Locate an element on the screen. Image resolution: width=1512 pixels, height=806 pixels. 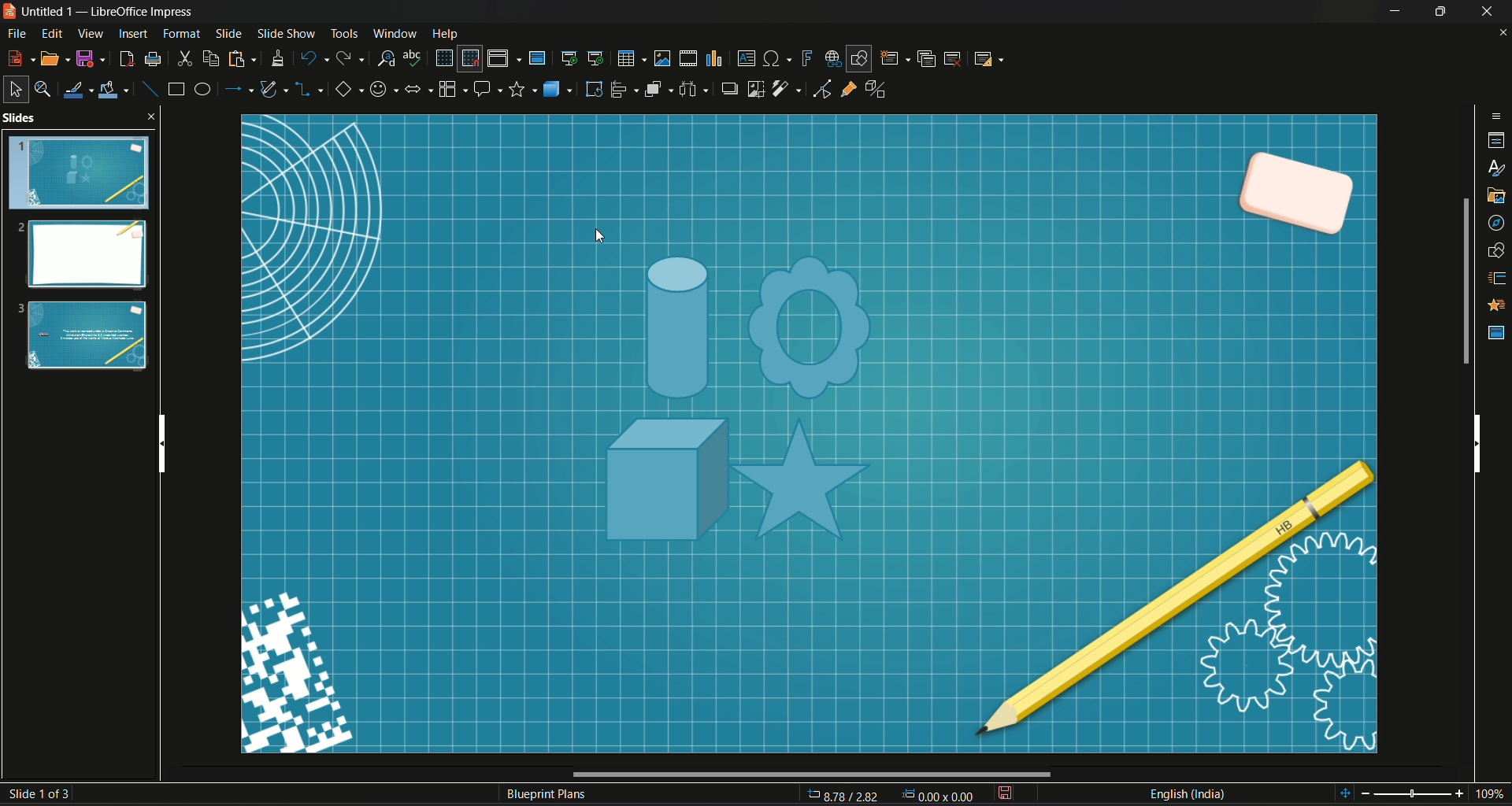
flowchart is located at coordinates (451, 89).